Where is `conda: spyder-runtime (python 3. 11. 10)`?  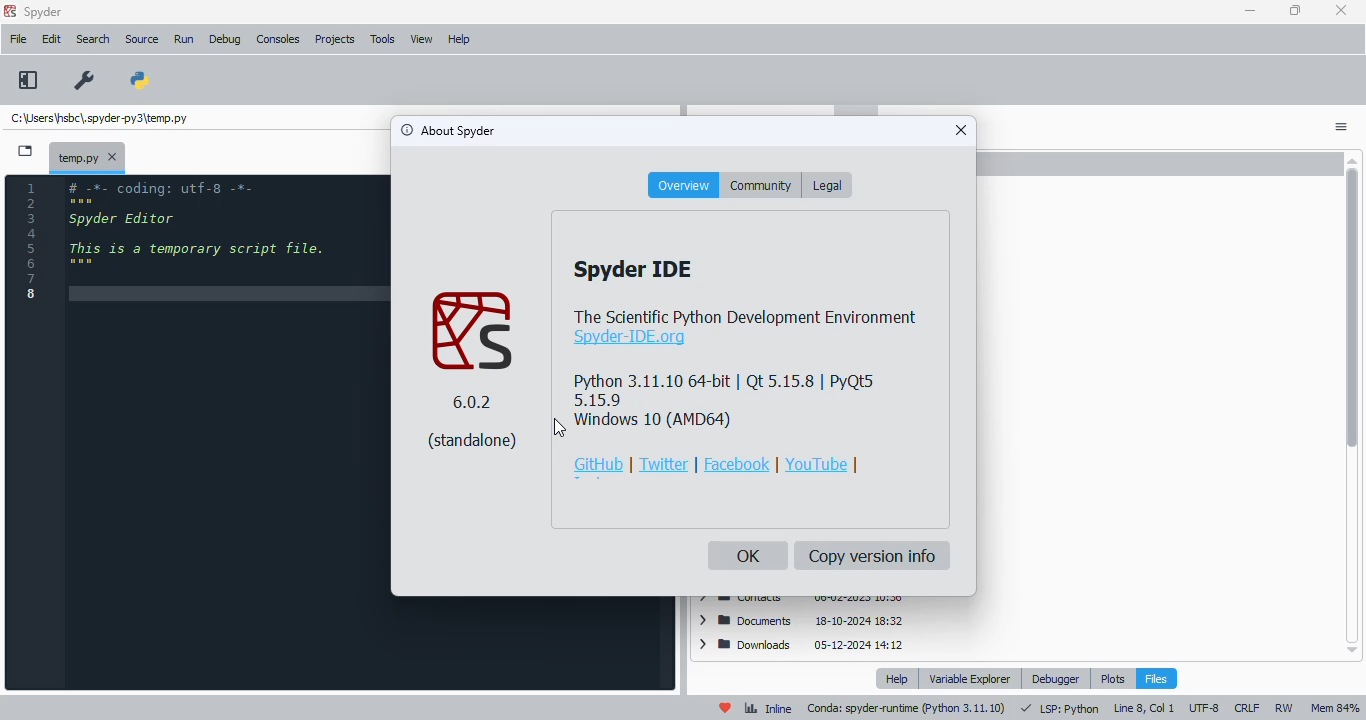 conda: spyder-runtime (python 3. 11. 10) is located at coordinates (906, 708).